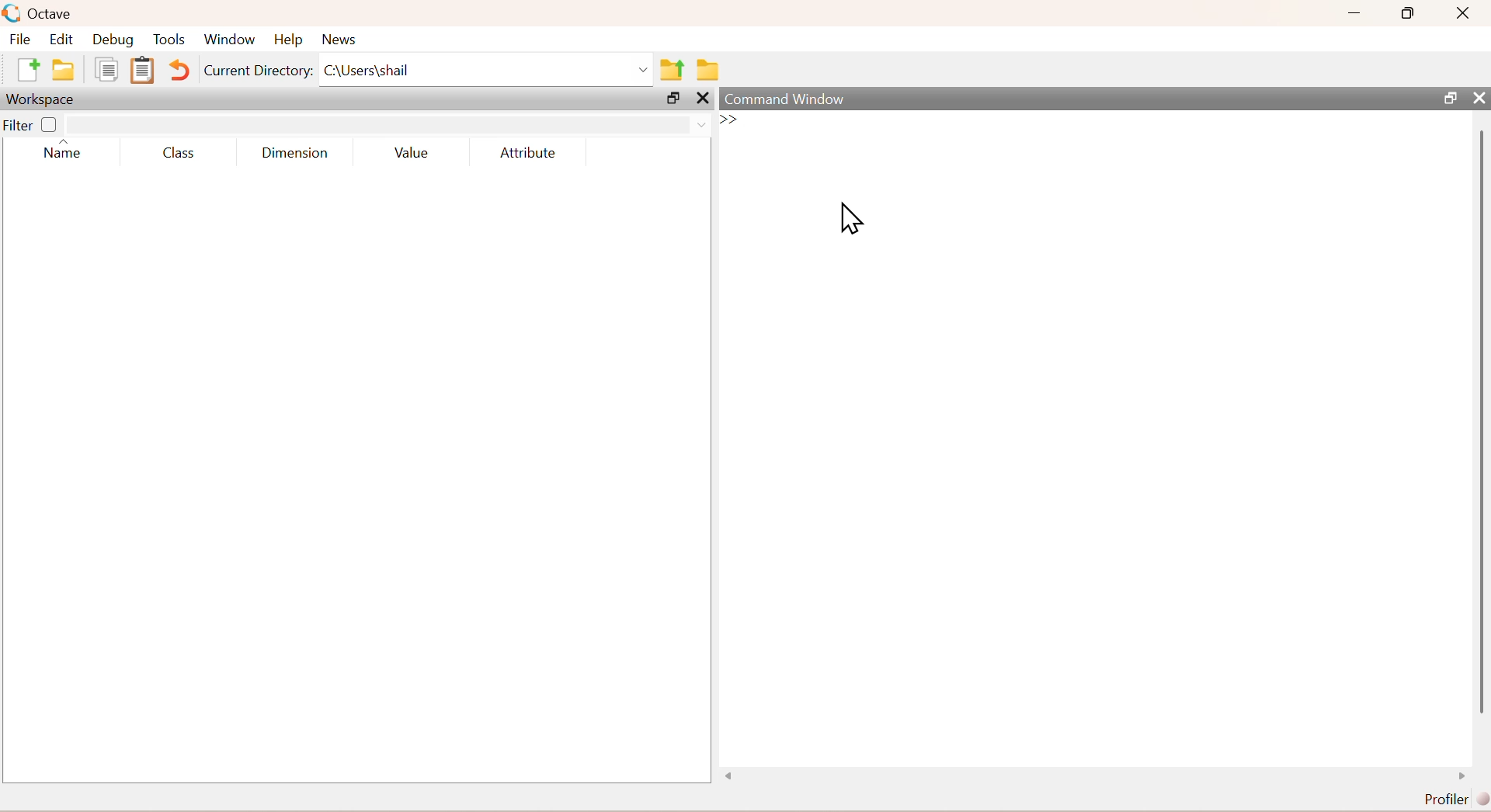 The height and width of the screenshot is (812, 1491). What do you see at coordinates (40, 100) in the screenshot?
I see `Workspace` at bounding box center [40, 100].